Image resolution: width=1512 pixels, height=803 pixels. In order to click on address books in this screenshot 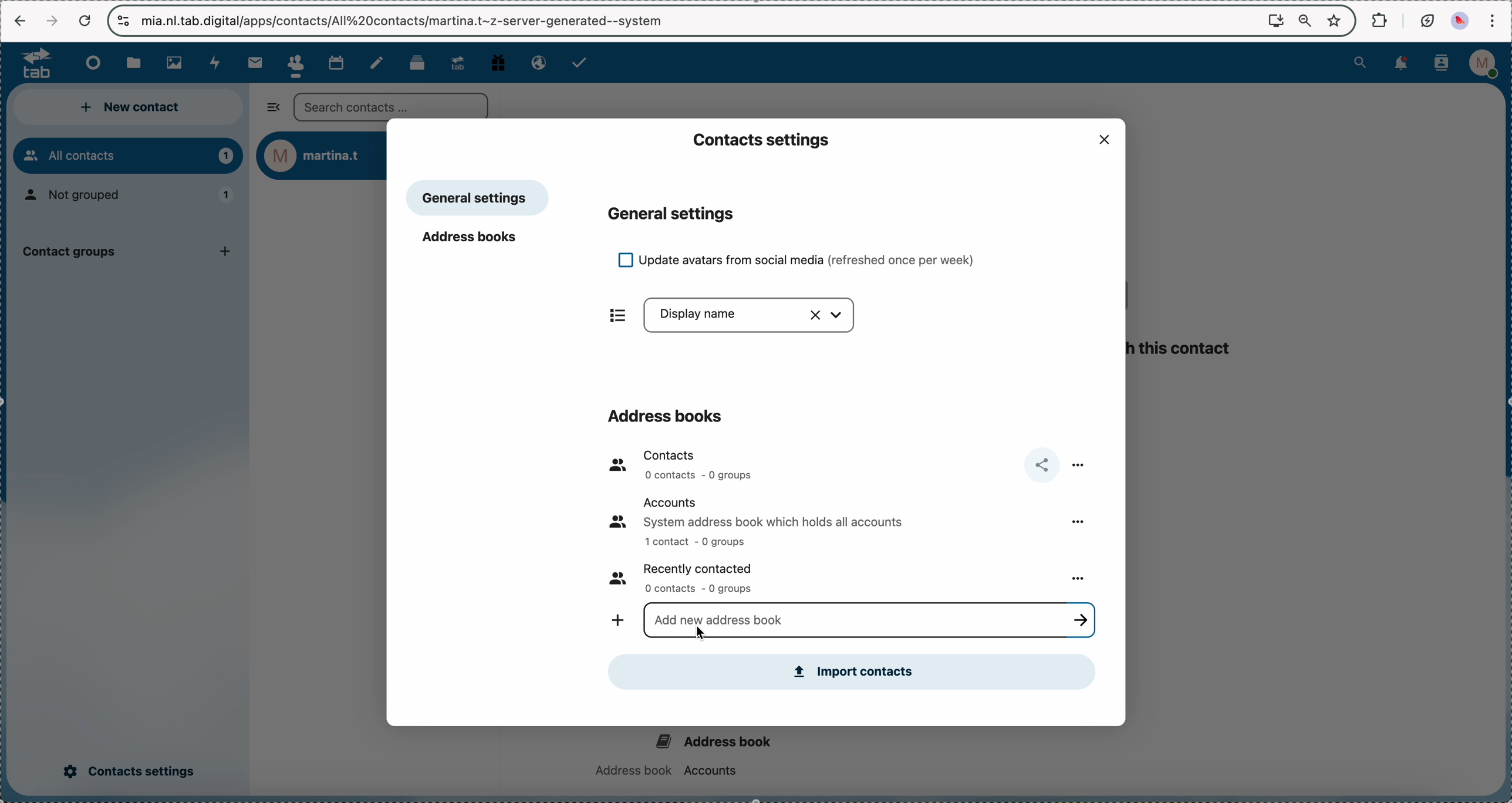, I will do `click(474, 240)`.